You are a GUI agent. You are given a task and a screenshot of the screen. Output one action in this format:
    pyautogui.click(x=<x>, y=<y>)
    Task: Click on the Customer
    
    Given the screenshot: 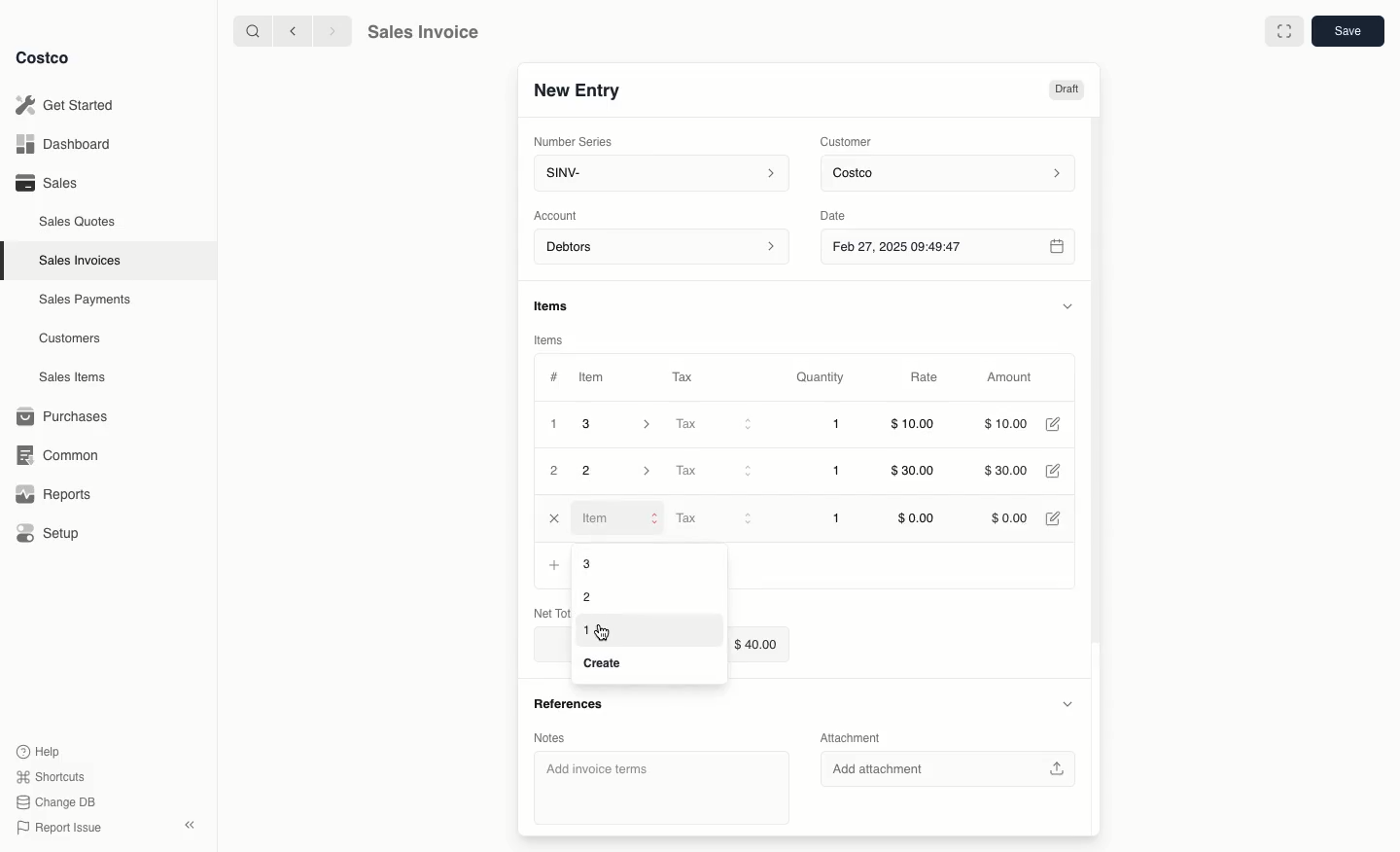 What is the action you would take?
    pyautogui.click(x=847, y=140)
    